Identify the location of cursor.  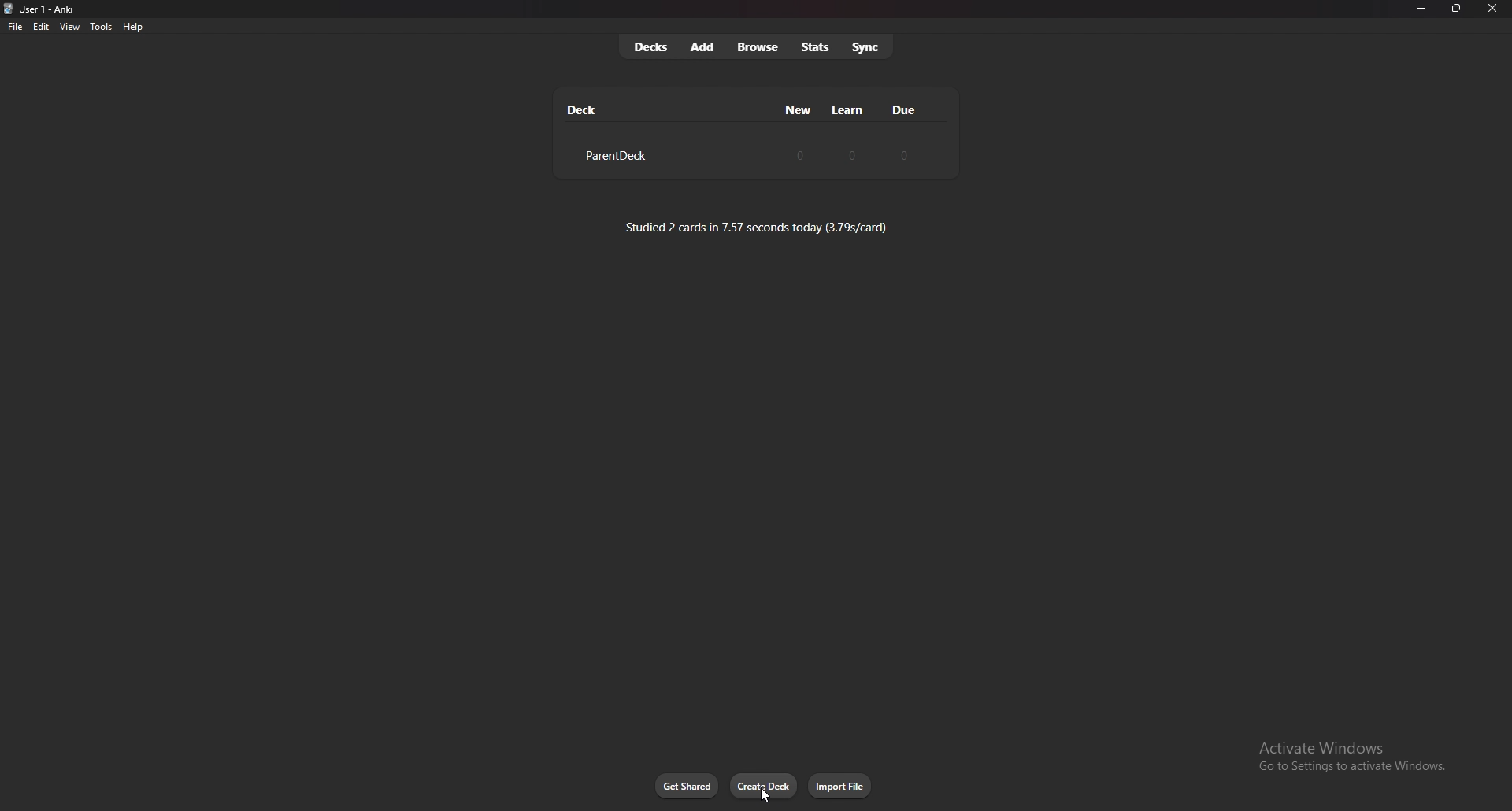
(765, 793).